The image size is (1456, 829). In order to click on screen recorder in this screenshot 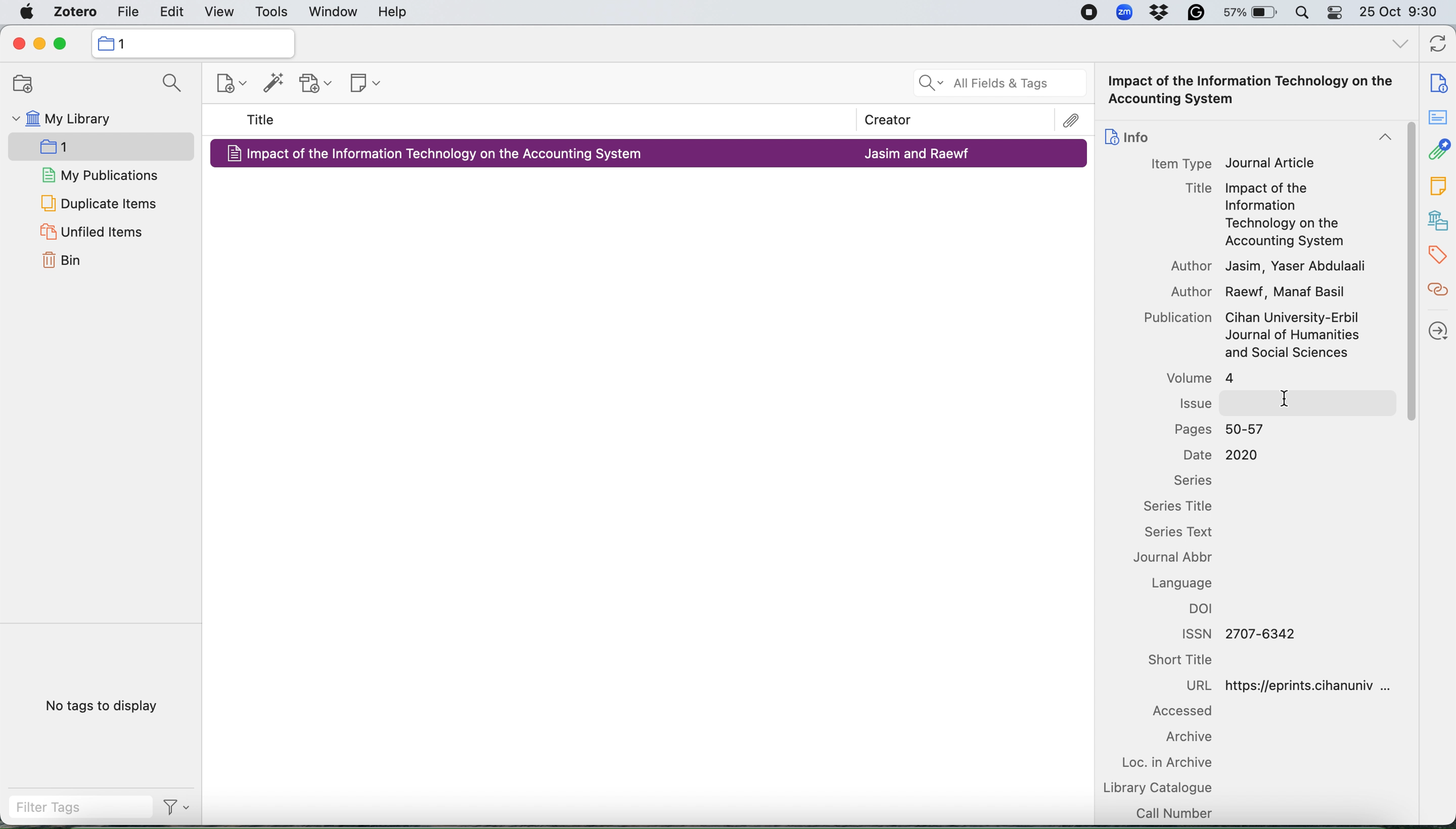, I will do `click(1089, 12)`.